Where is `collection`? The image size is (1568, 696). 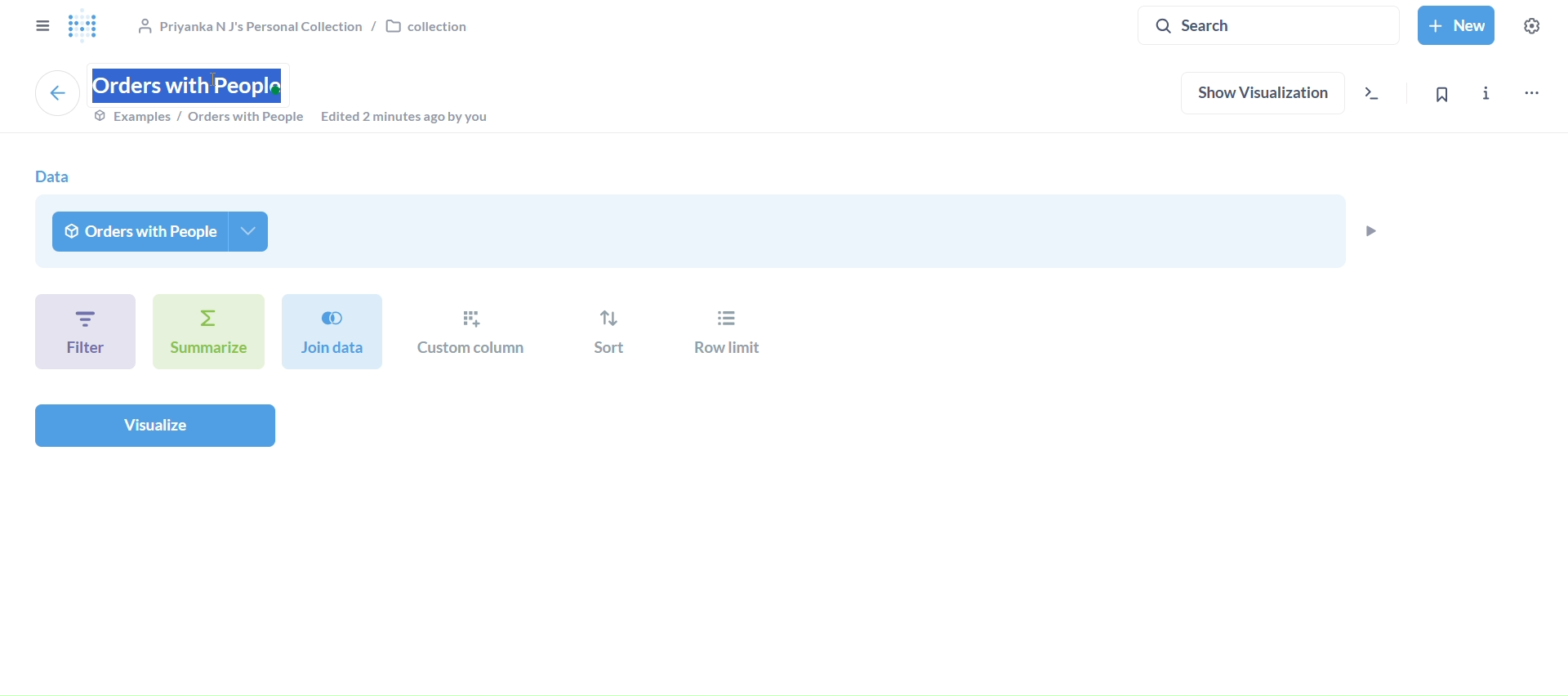 collection is located at coordinates (301, 25).